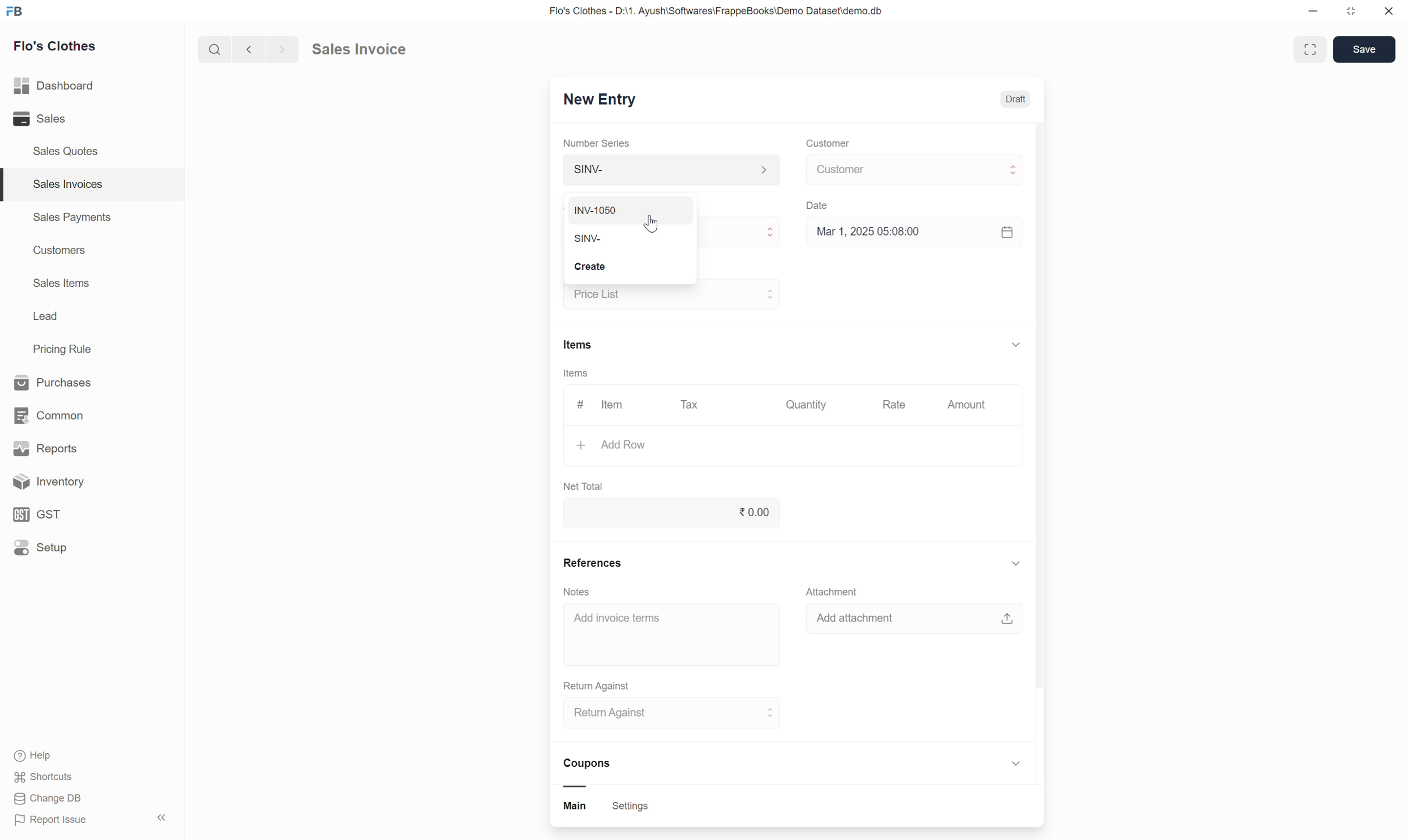 The height and width of the screenshot is (840, 1408). Describe the element at coordinates (59, 755) in the screenshot. I see `Help` at that location.